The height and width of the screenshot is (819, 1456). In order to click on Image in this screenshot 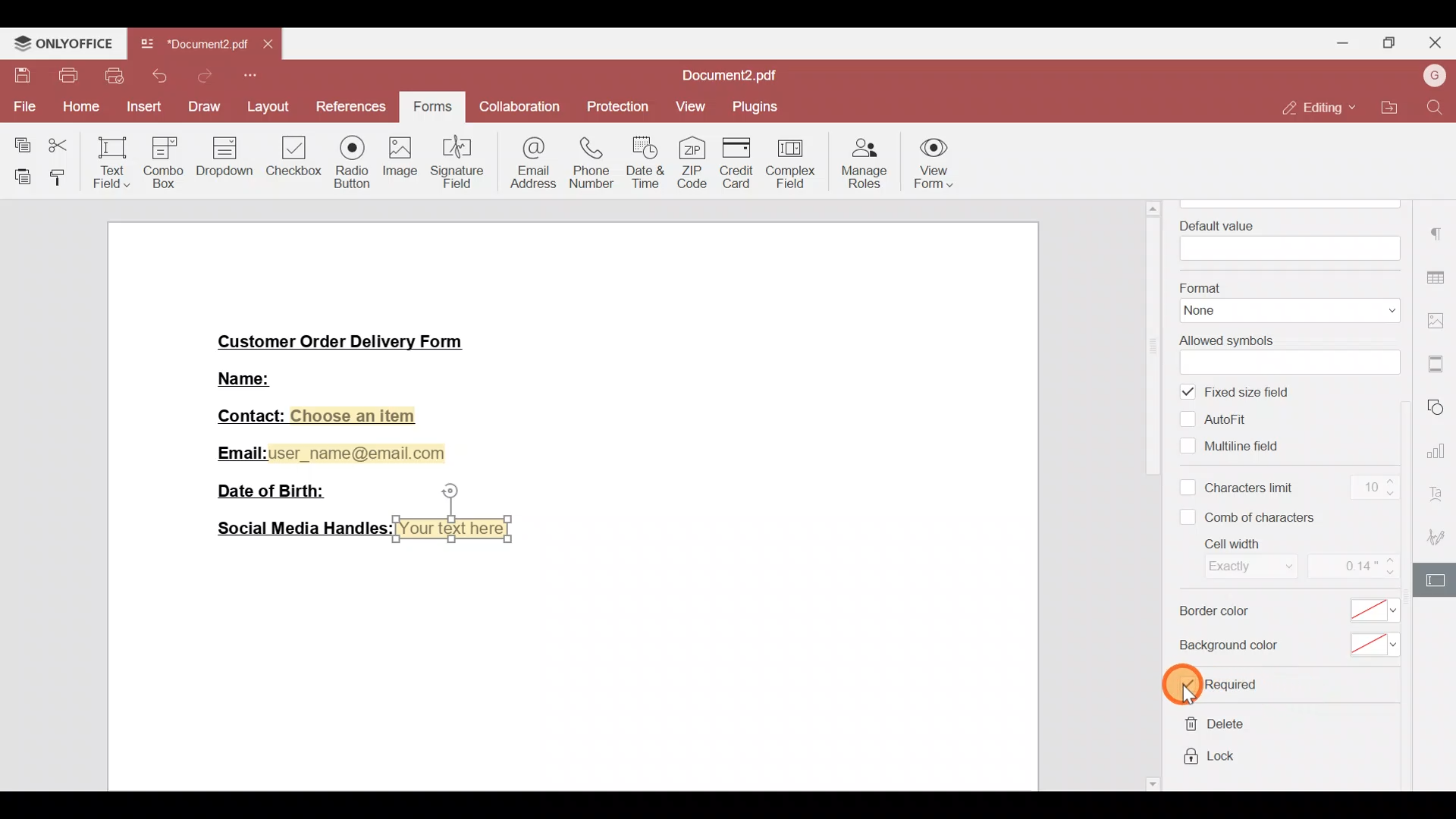, I will do `click(398, 160)`.